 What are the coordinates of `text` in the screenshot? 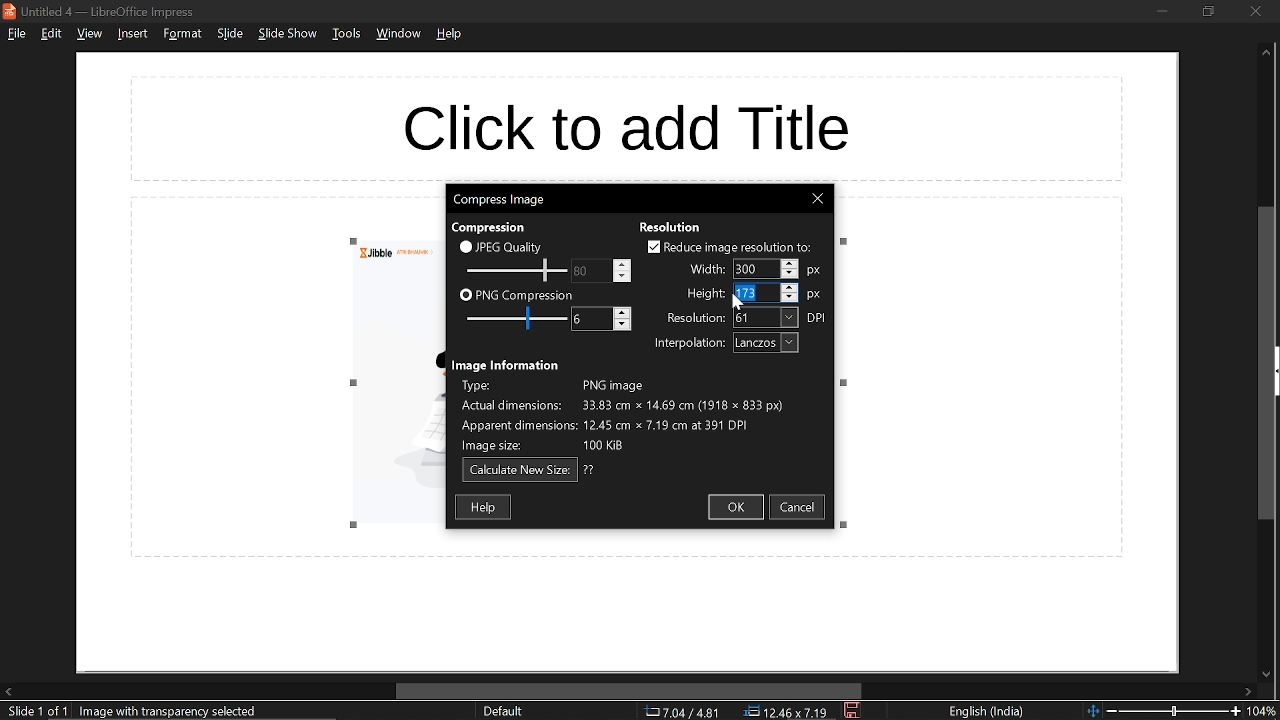 It's located at (706, 294).